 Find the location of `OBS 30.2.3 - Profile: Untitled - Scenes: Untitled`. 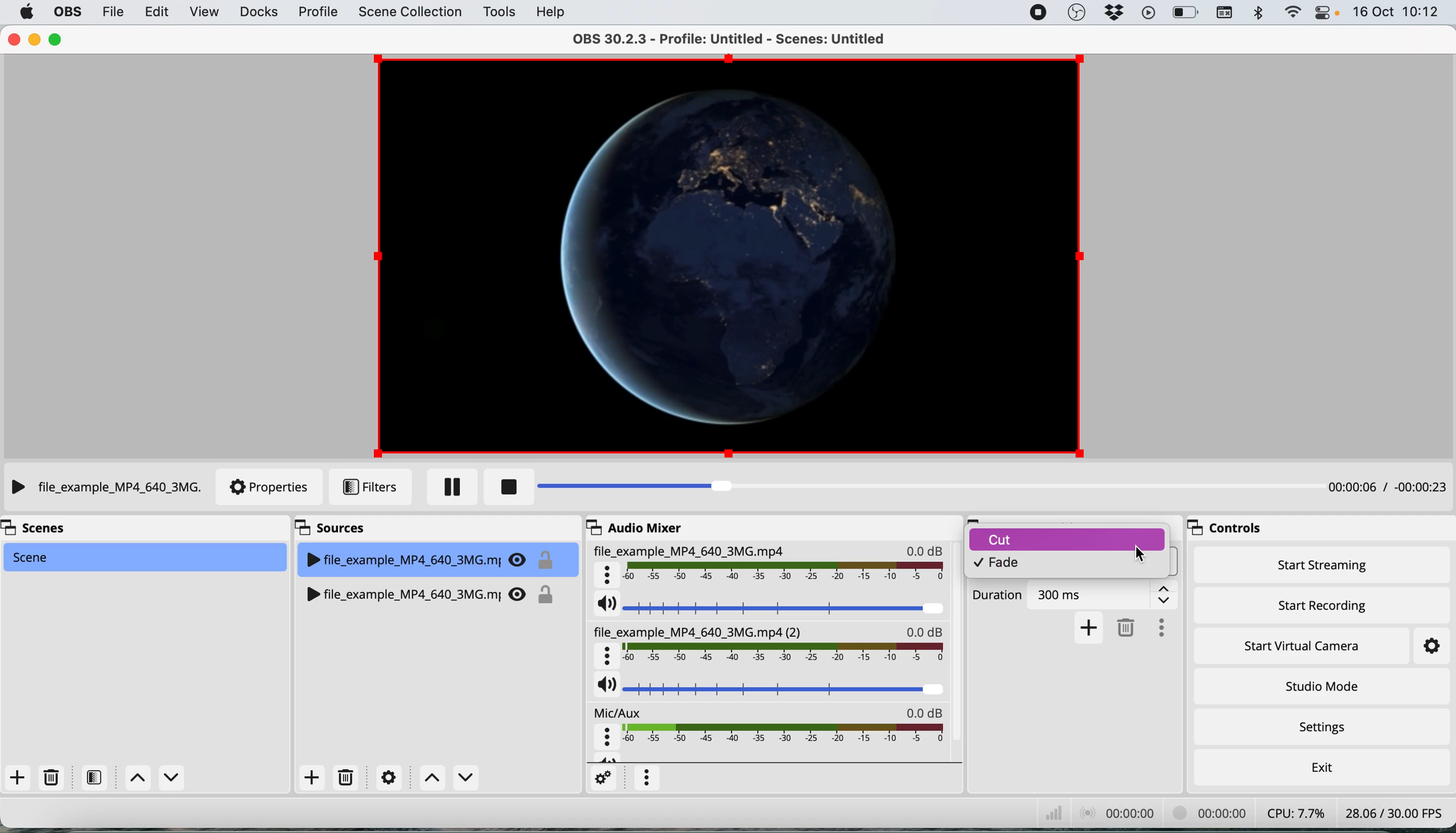

OBS 30.2.3 - Profile: Untitled - Scenes: Untitled is located at coordinates (714, 38).